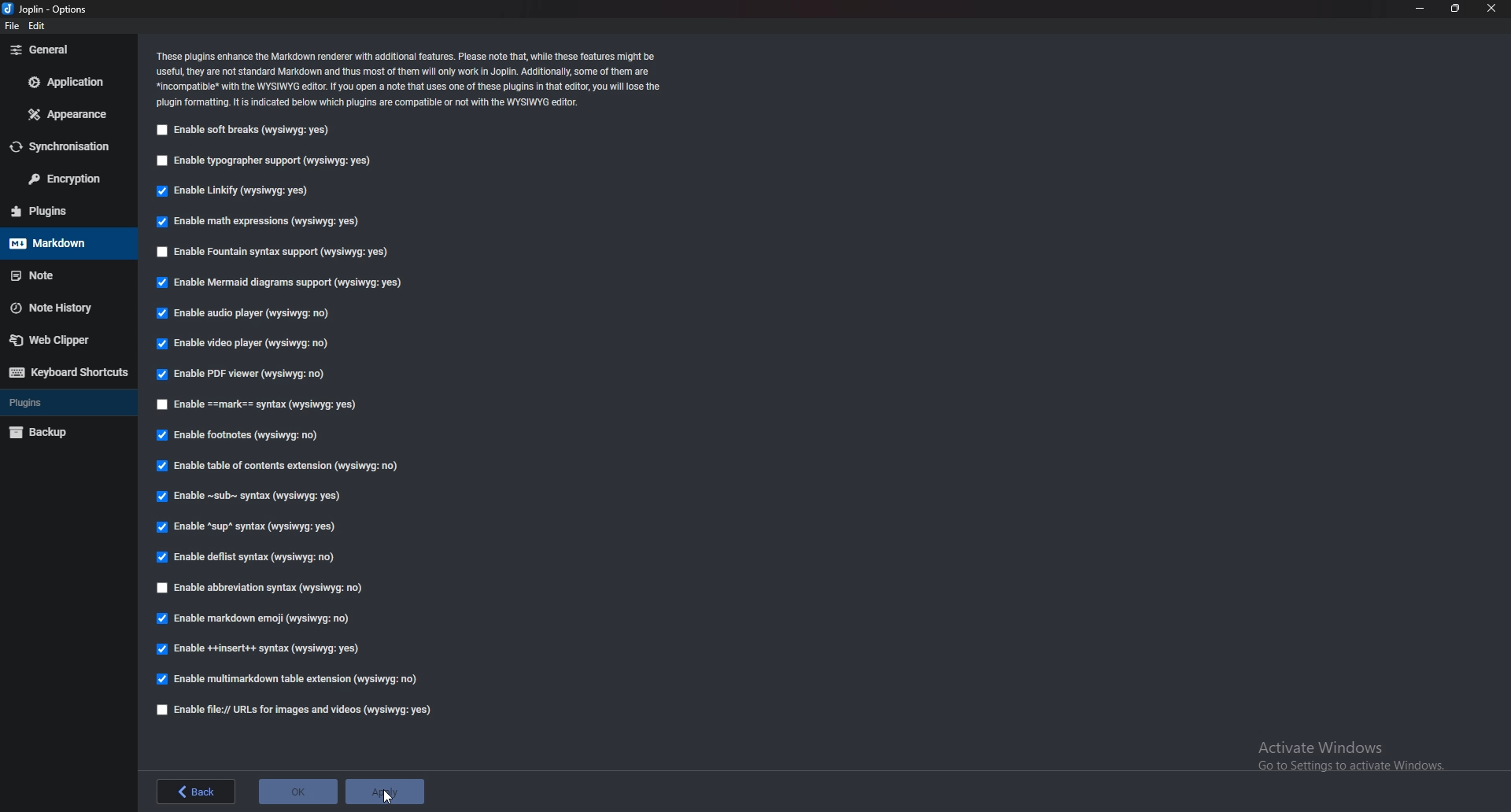 This screenshot has height=812, width=1511. Describe the element at coordinates (251, 529) in the screenshot. I see `Enable sup syntax` at that location.